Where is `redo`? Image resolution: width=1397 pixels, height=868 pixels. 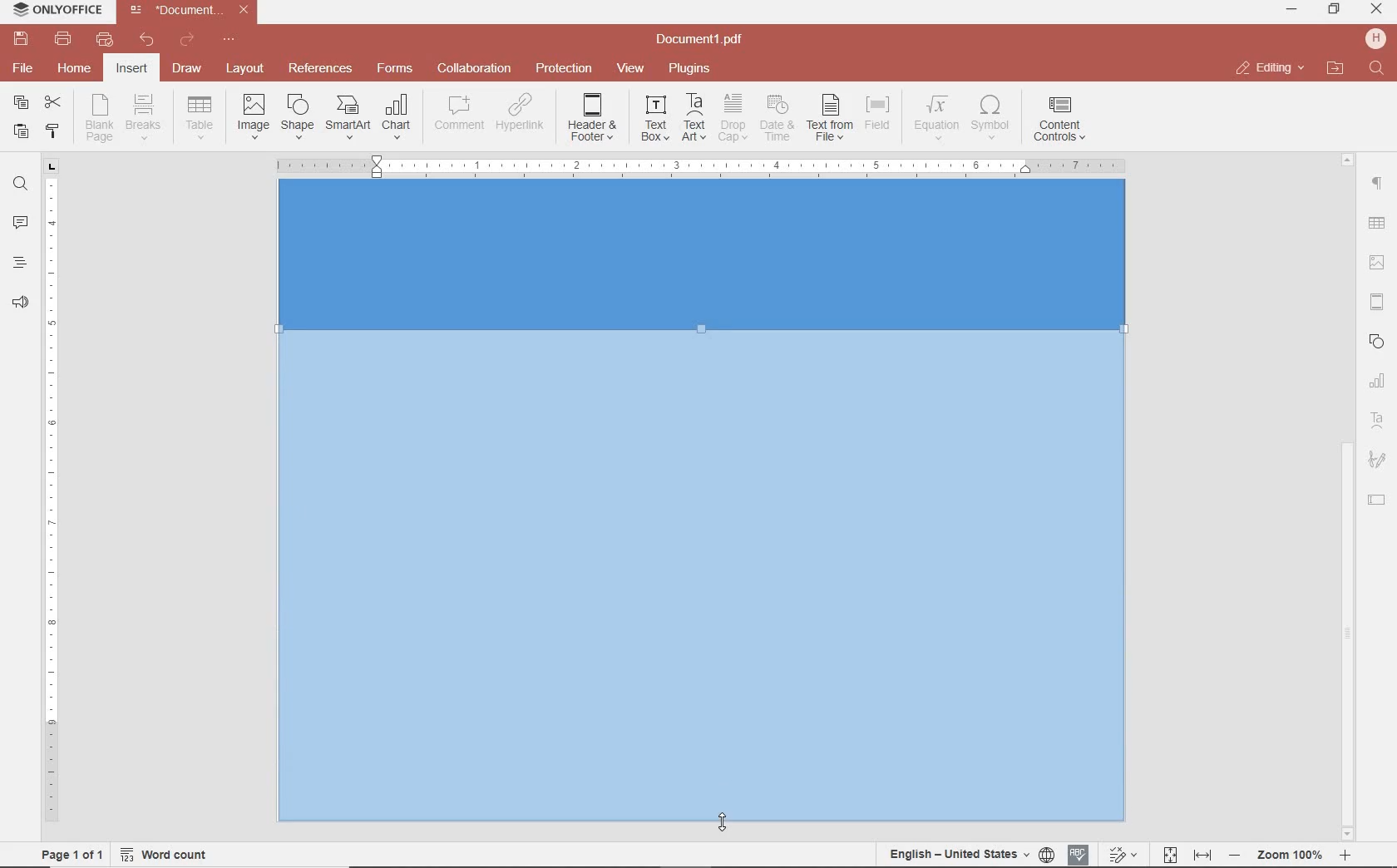
redo is located at coordinates (185, 42).